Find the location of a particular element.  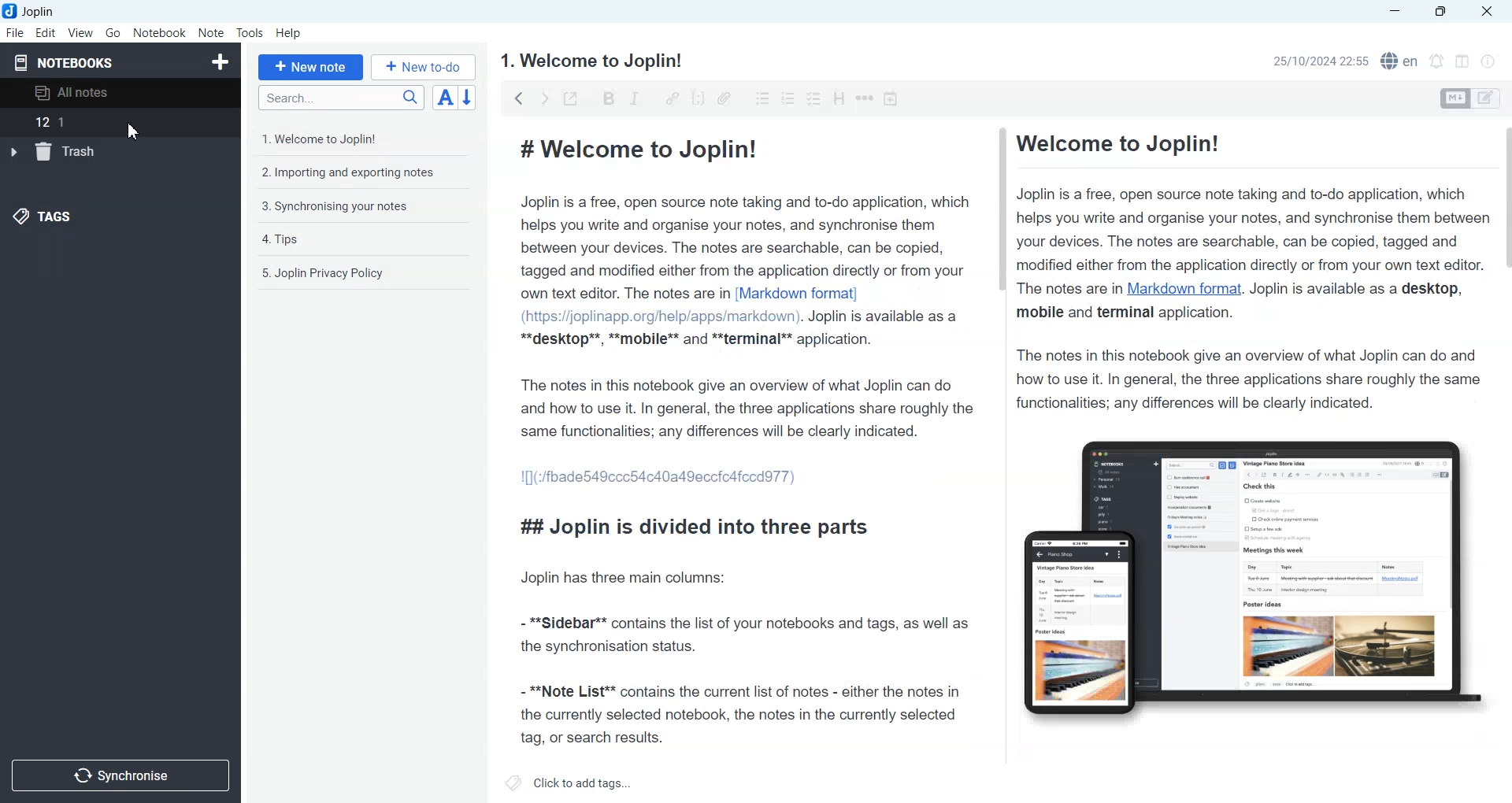

Create Notebook is located at coordinates (221, 60).